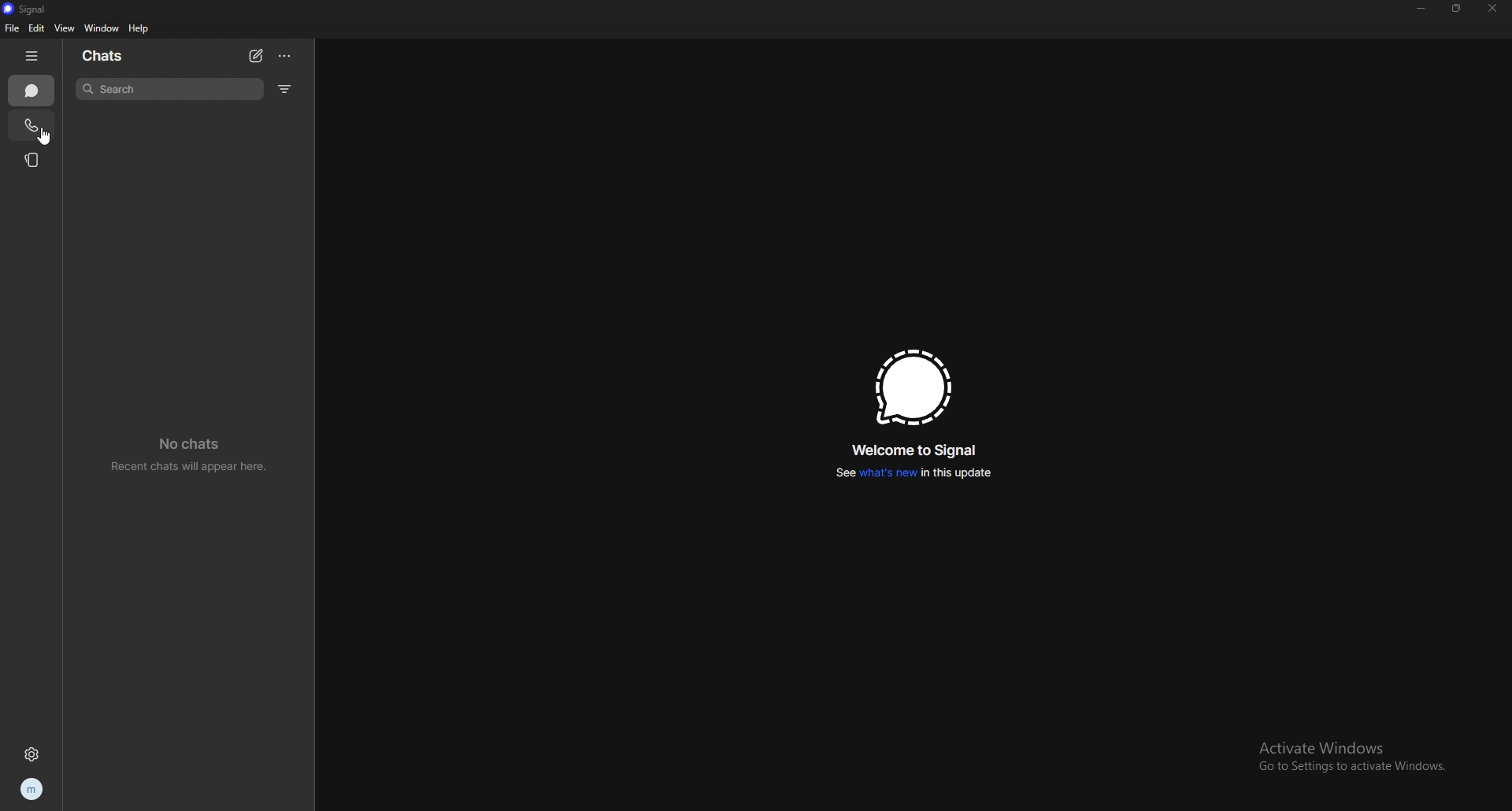 Image resolution: width=1512 pixels, height=811 pixels. Describe the element at coordinates (39, 9) in the screenshot. I see `signal` at that location.